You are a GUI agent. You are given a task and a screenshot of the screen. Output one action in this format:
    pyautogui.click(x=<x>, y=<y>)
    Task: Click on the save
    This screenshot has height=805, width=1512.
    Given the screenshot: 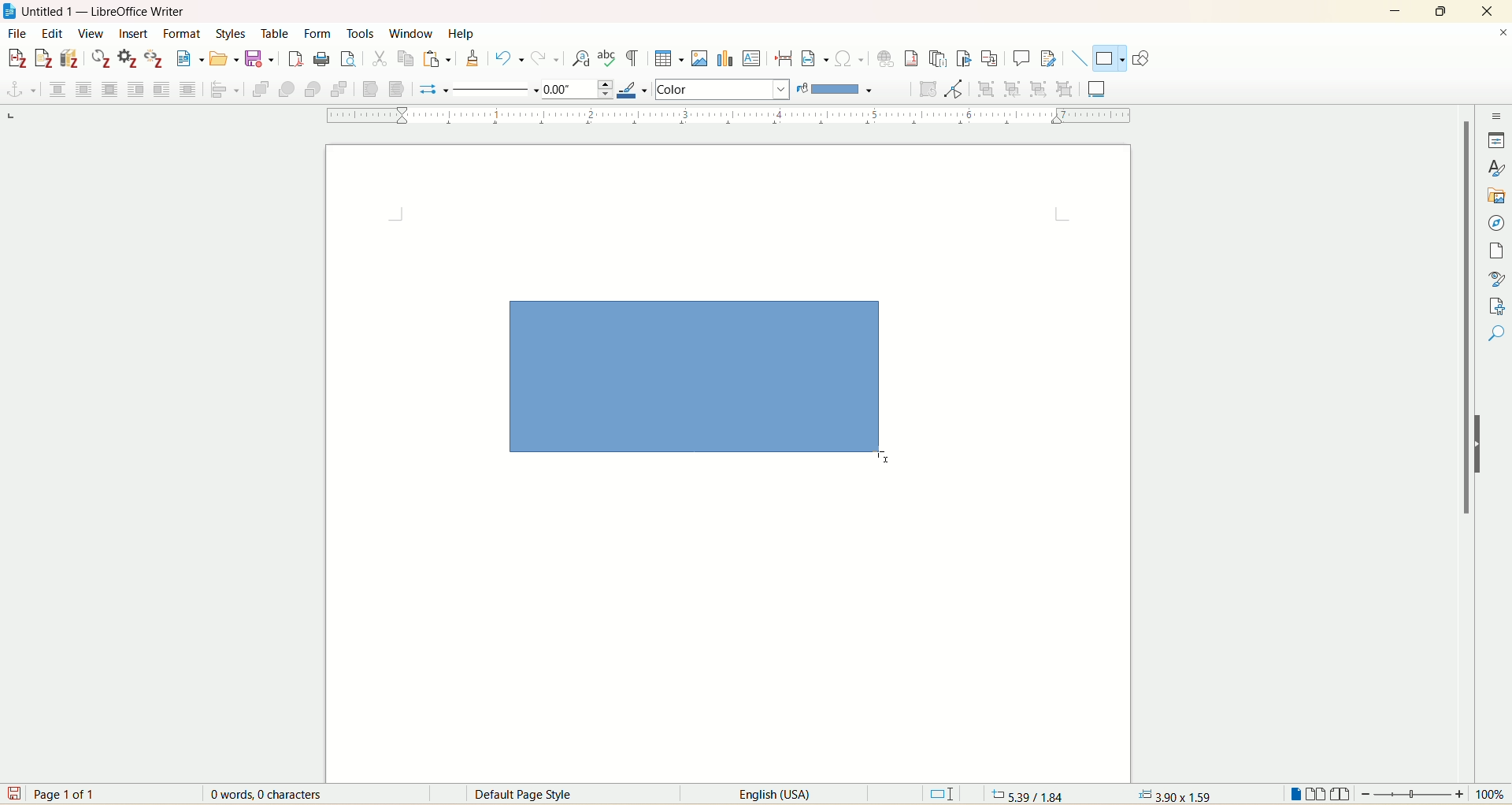 What is the action you would take?
    pyautogui.click(x=261, y=60)
    